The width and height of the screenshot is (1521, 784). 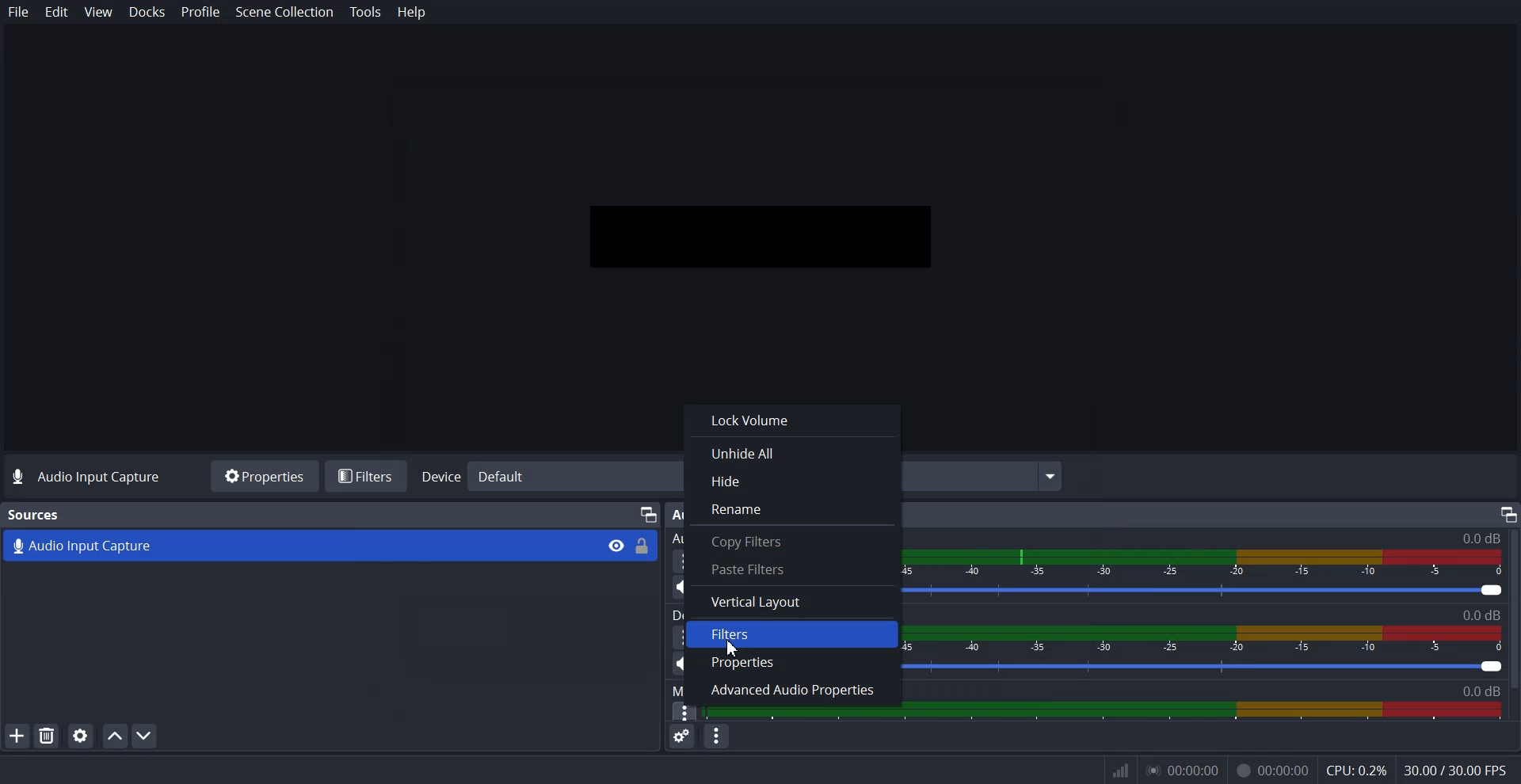 I want to click on Eye, so click(x=616, y=545).